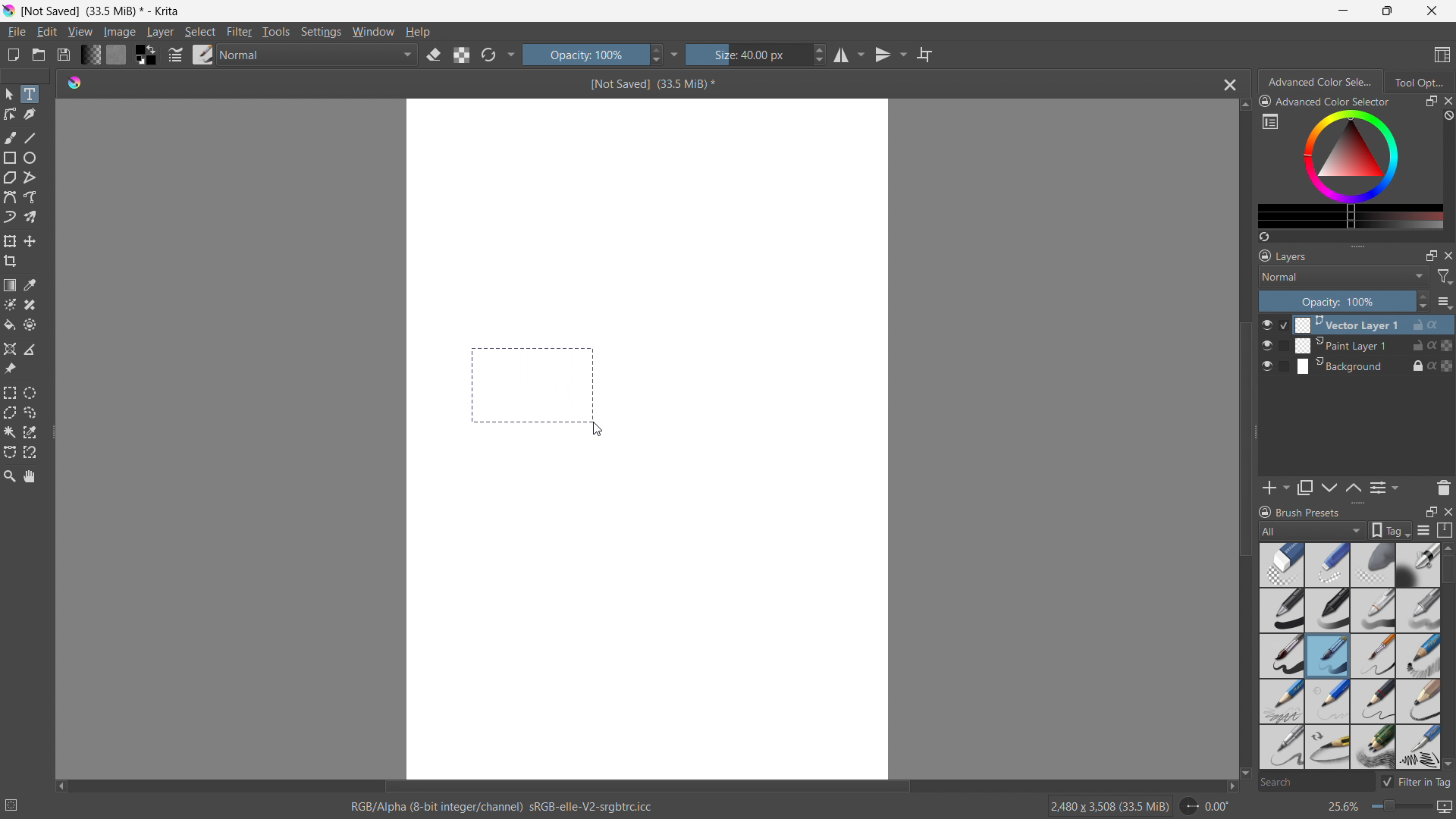 This screenshot has width=1456, height=819. Describe the element at coordinates (598, 428) in the screenshot. I see `cursor` at that location.